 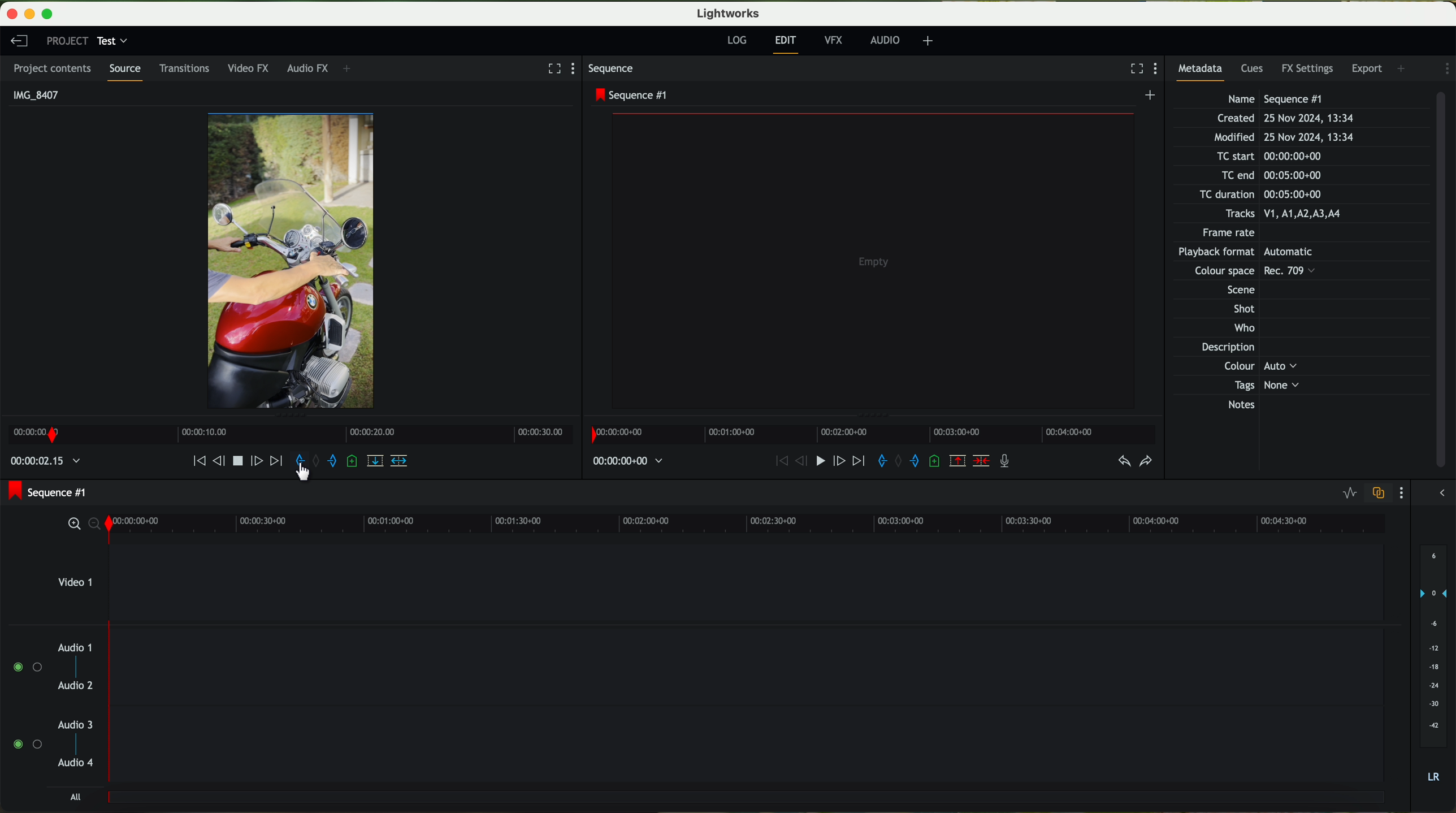 What do you see at coordinates (18, 40) in the screenshot?
I see `leave` at bounding box center [18, 40].